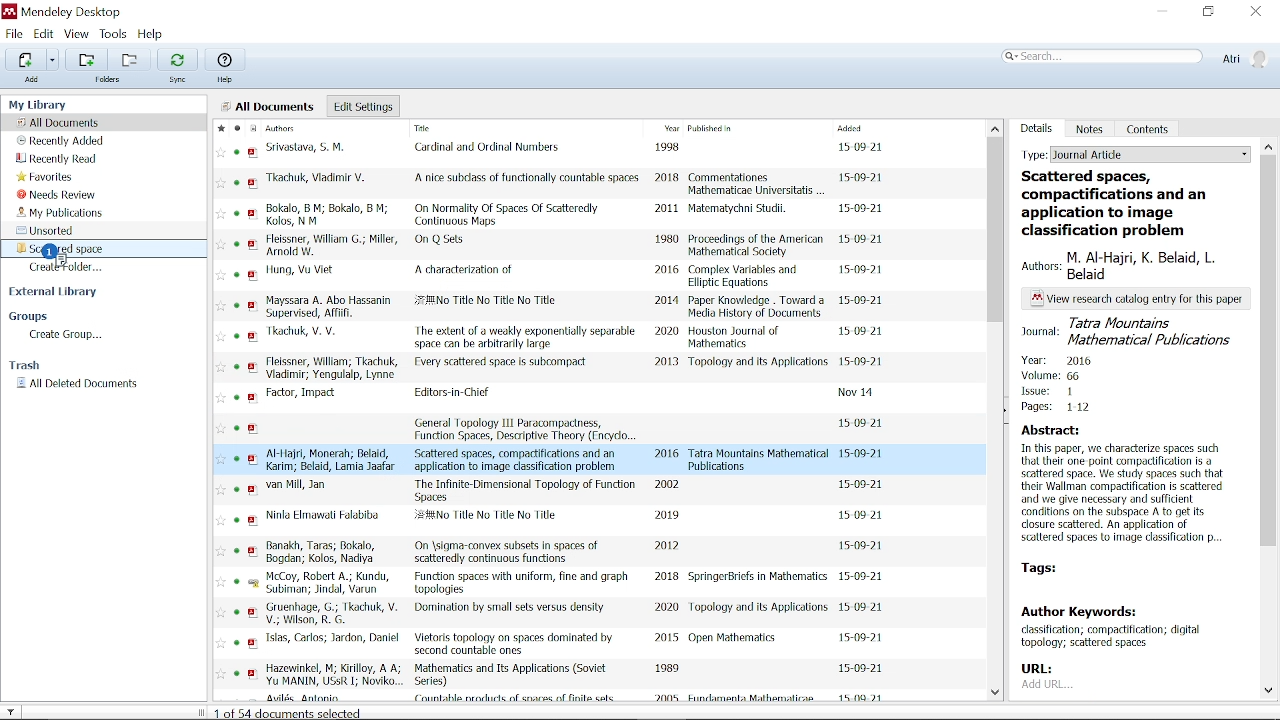  Describe the element at coordinates (669, 129) in the screenshot. I see `Year` at that location.